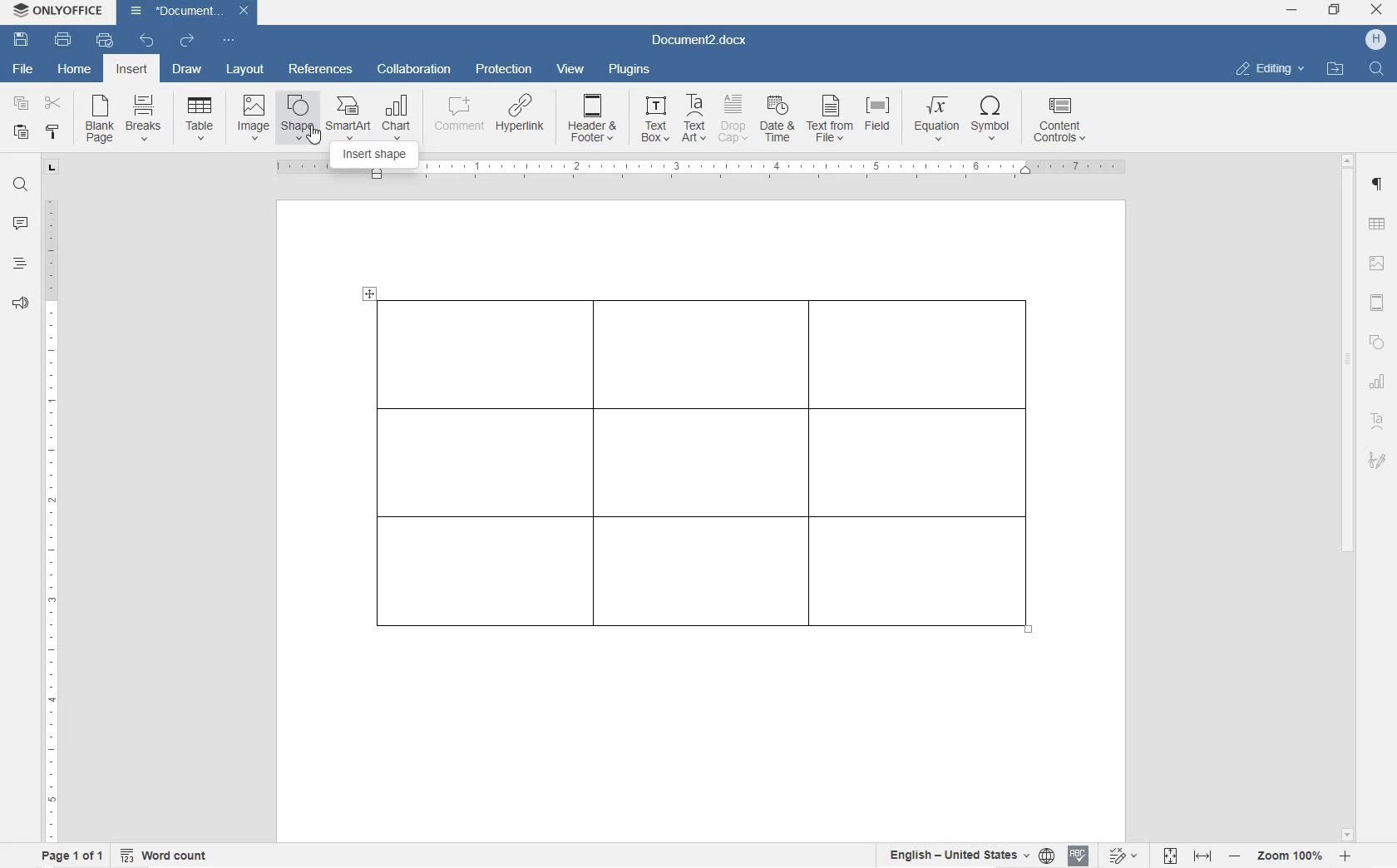  Describe the element at coordinates (573, 70) in the screenshot. I see `view` at that location.